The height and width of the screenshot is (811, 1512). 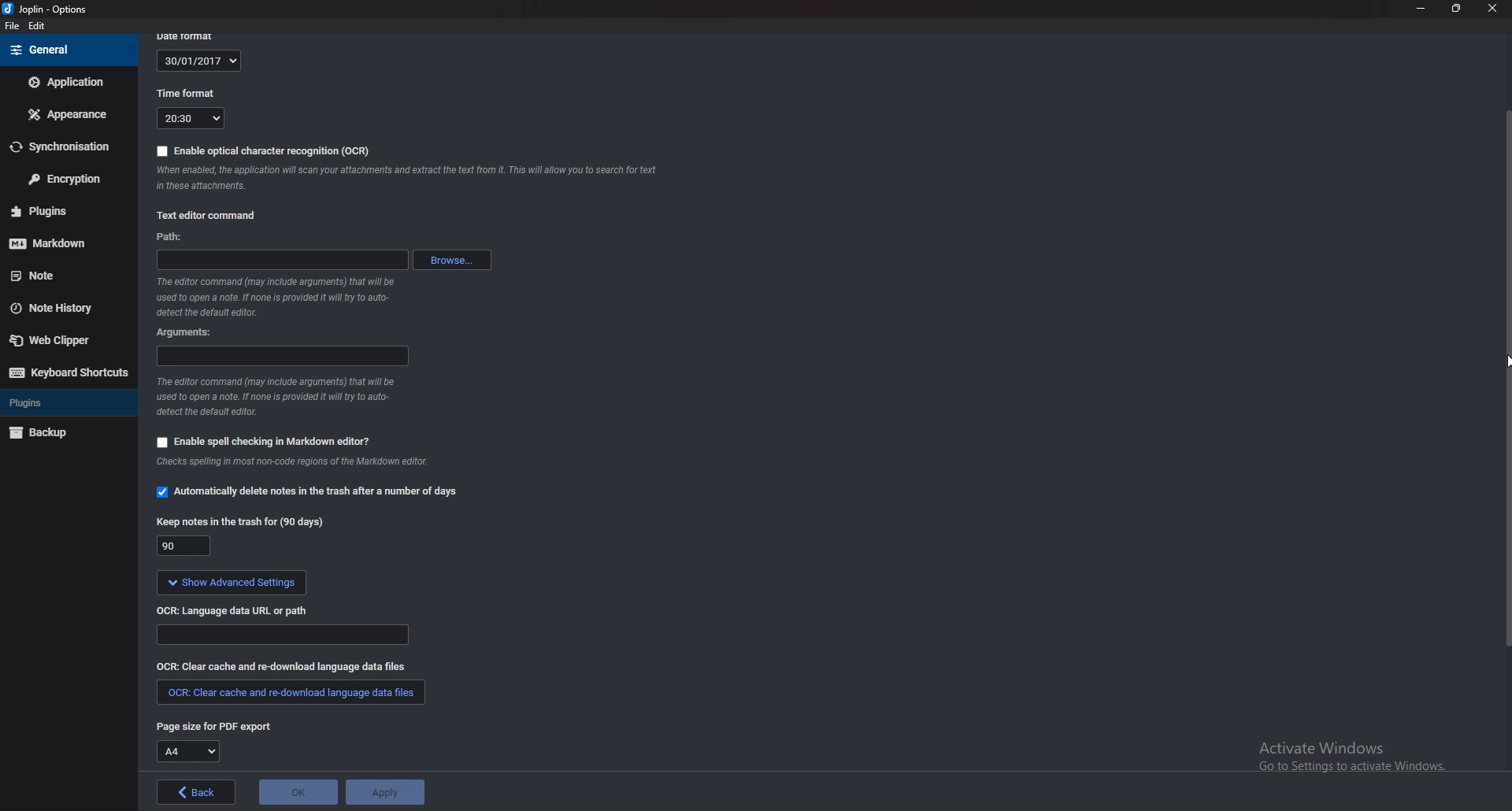 I want to click on Application, so click(x=68, y=82).